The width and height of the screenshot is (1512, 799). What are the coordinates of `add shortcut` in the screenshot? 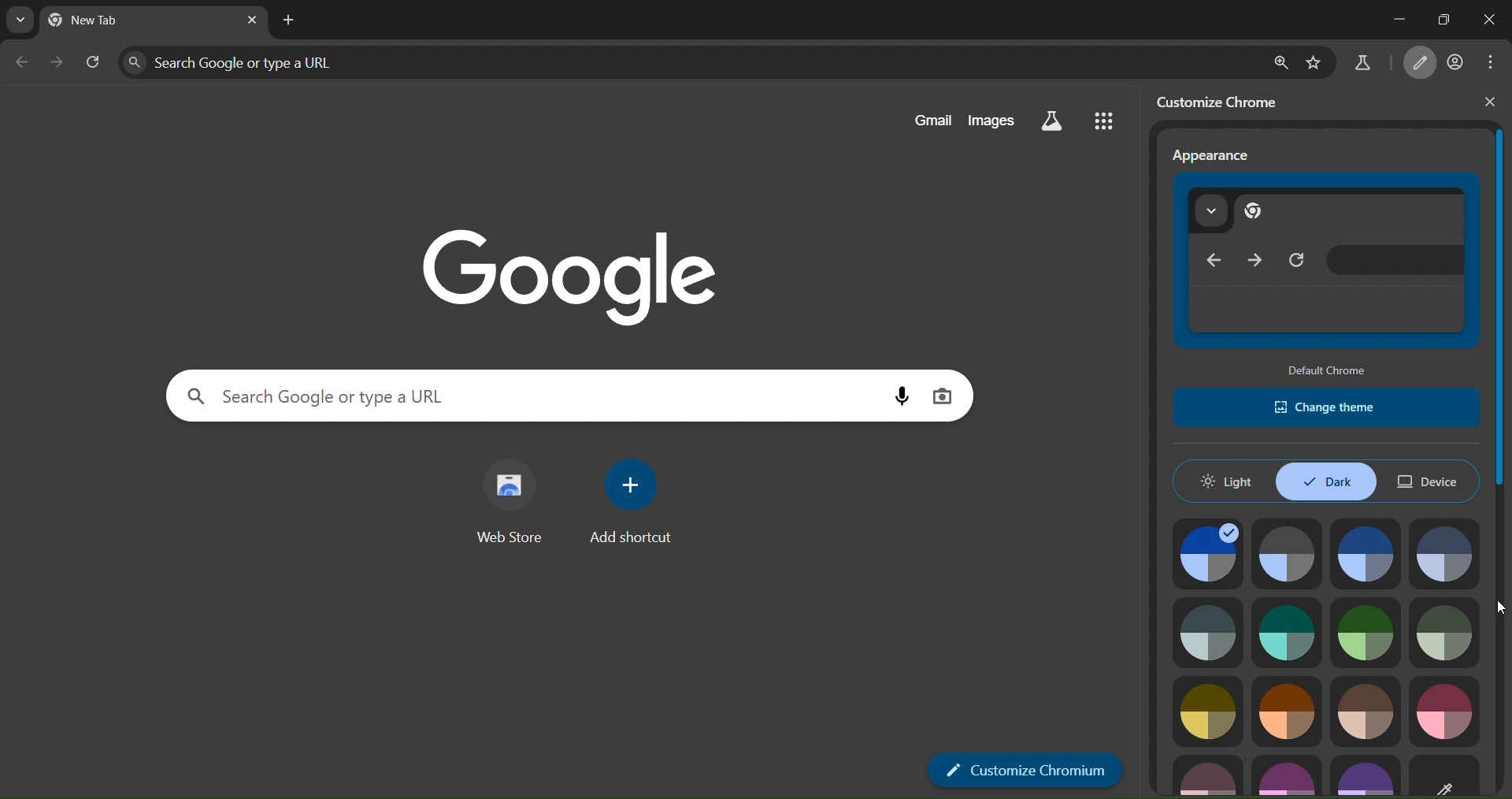 It's located at (638, 507).